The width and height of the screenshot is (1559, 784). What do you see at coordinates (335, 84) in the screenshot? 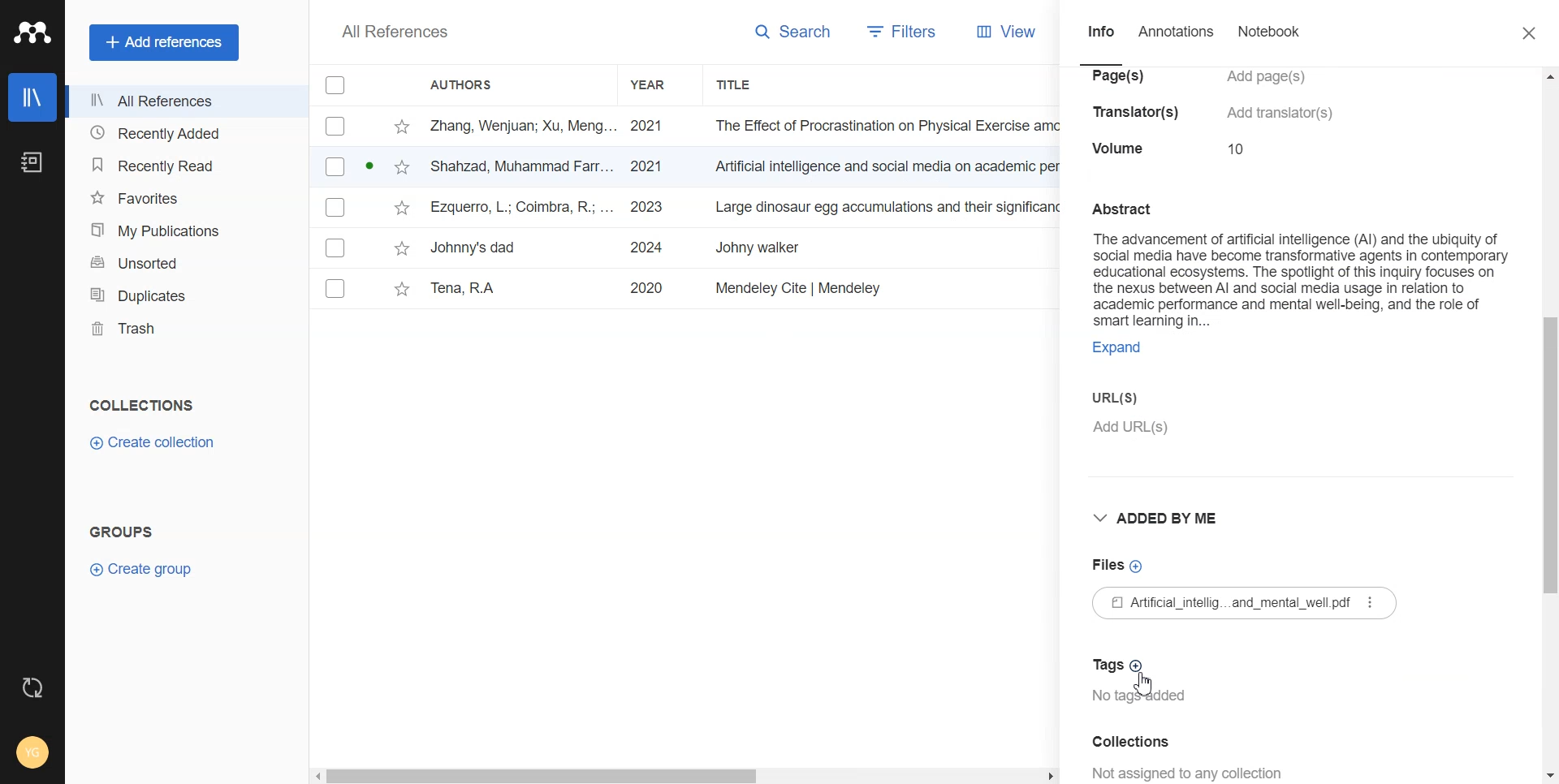
I see `Checklist` at bounding box center [335, 84].